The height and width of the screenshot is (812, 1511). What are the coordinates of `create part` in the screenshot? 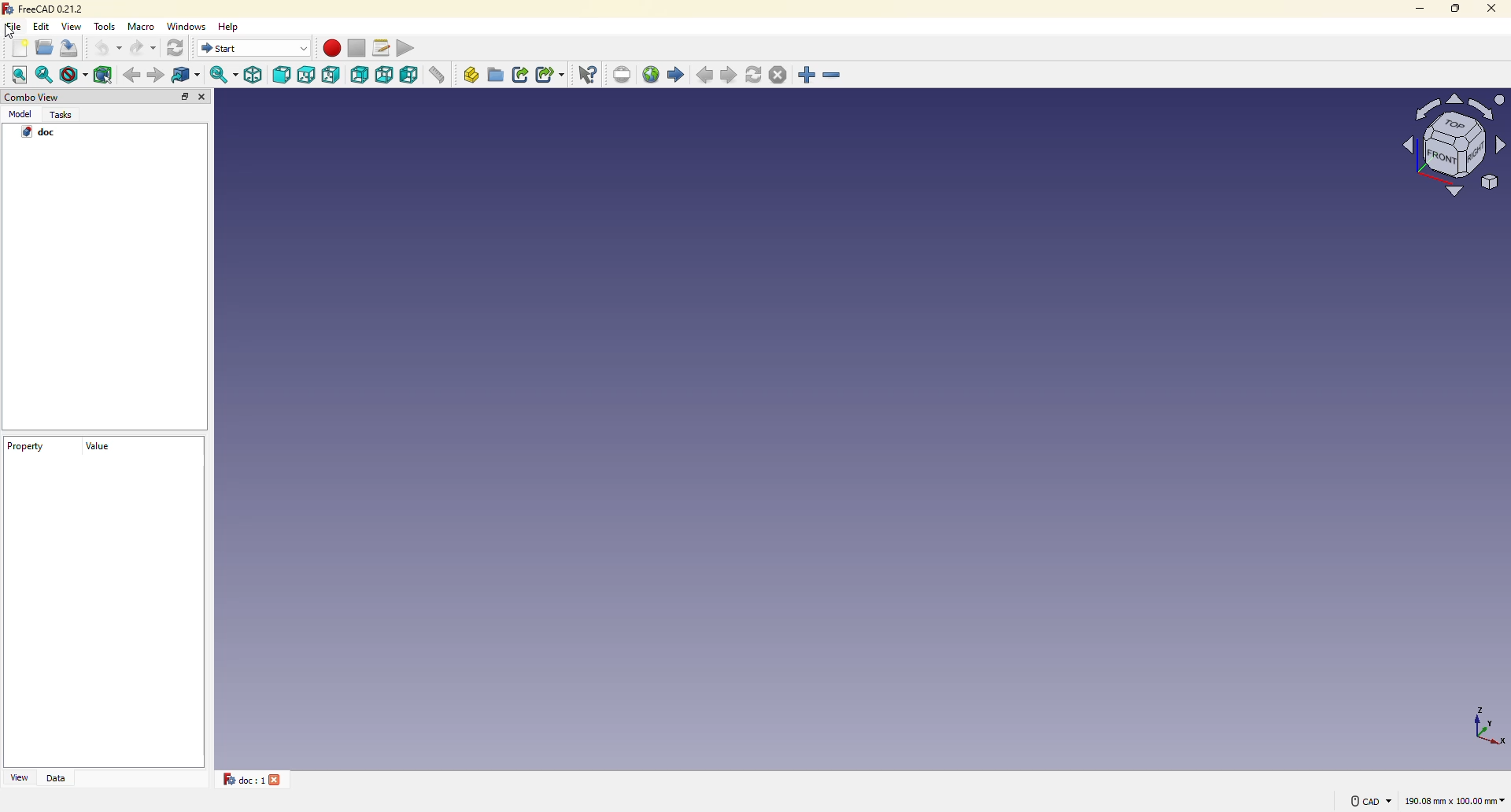 It's located at (471, 74).